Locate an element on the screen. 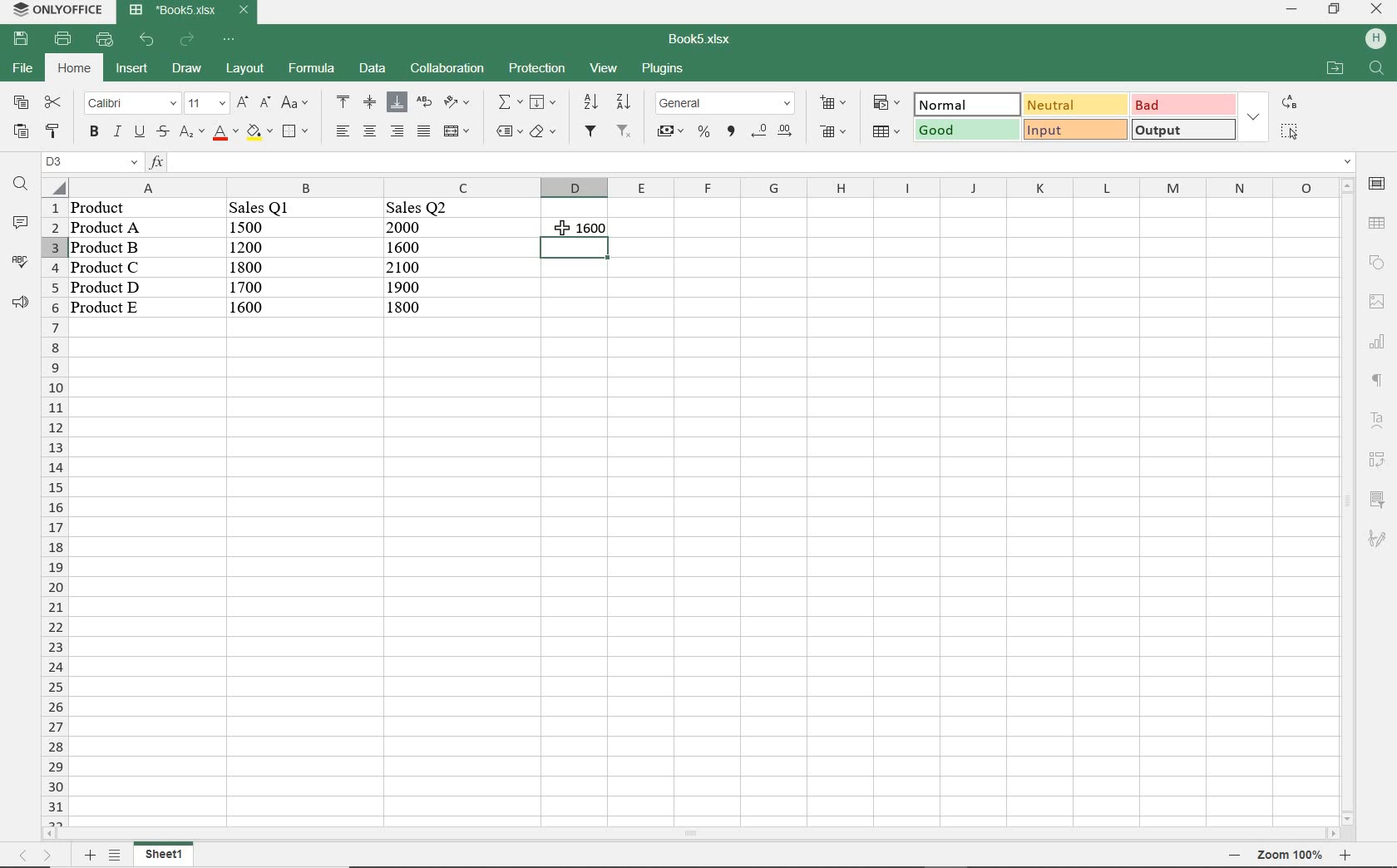 This screenshot has height=868, width=1397. increment font size is located at coordinates (241, 102).